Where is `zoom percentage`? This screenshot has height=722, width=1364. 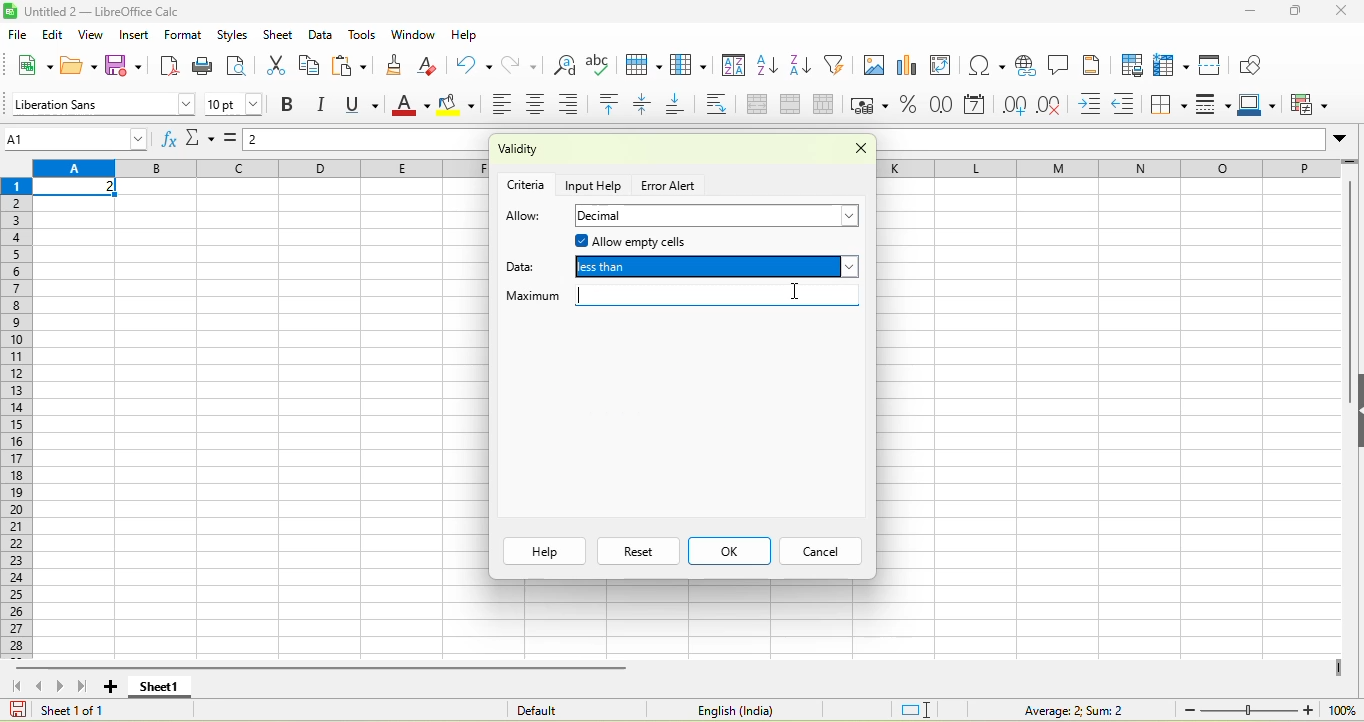 zoom percentage is located at coordinates (1342, 709).